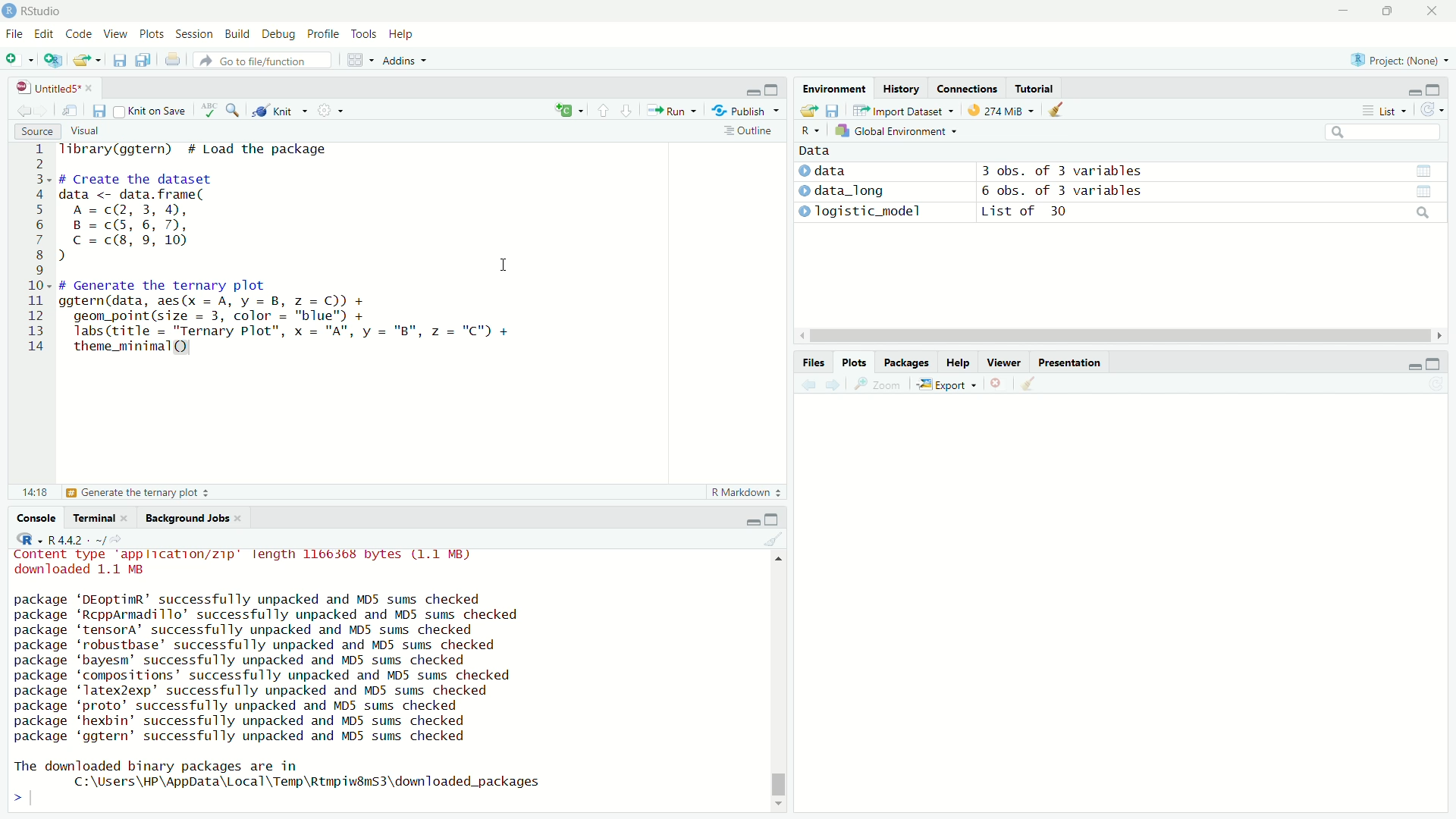 The width and height of the screenshot is (1456, 819). What do you see at coordinates (604, 111) in the screenshot?
I see `upward` at bounding box center [604, 111].